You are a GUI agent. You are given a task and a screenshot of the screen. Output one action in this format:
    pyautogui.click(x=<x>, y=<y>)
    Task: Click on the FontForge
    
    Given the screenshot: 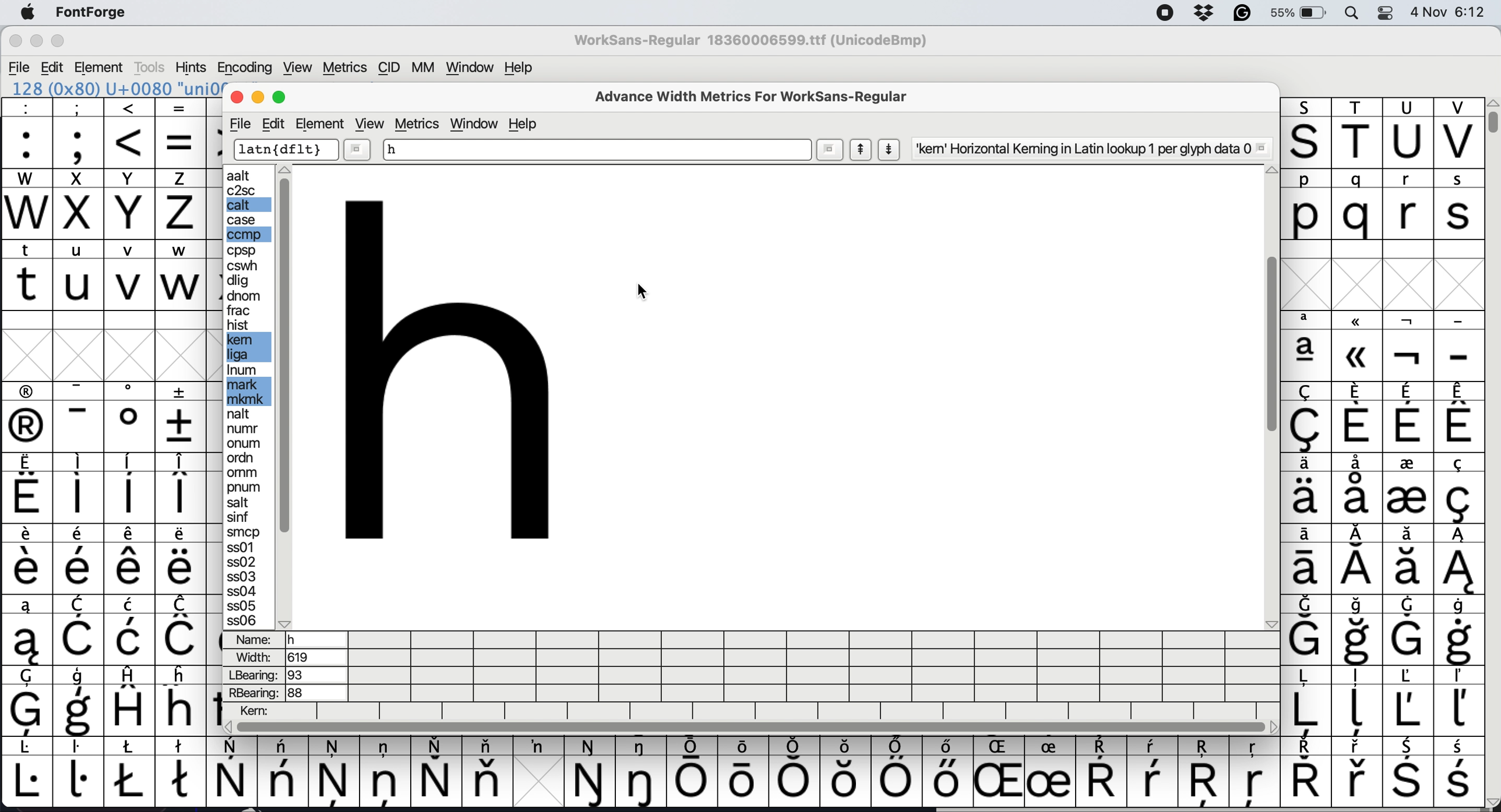 What is the action you would take?
    pyautogui.click(x=94, y=13)
    